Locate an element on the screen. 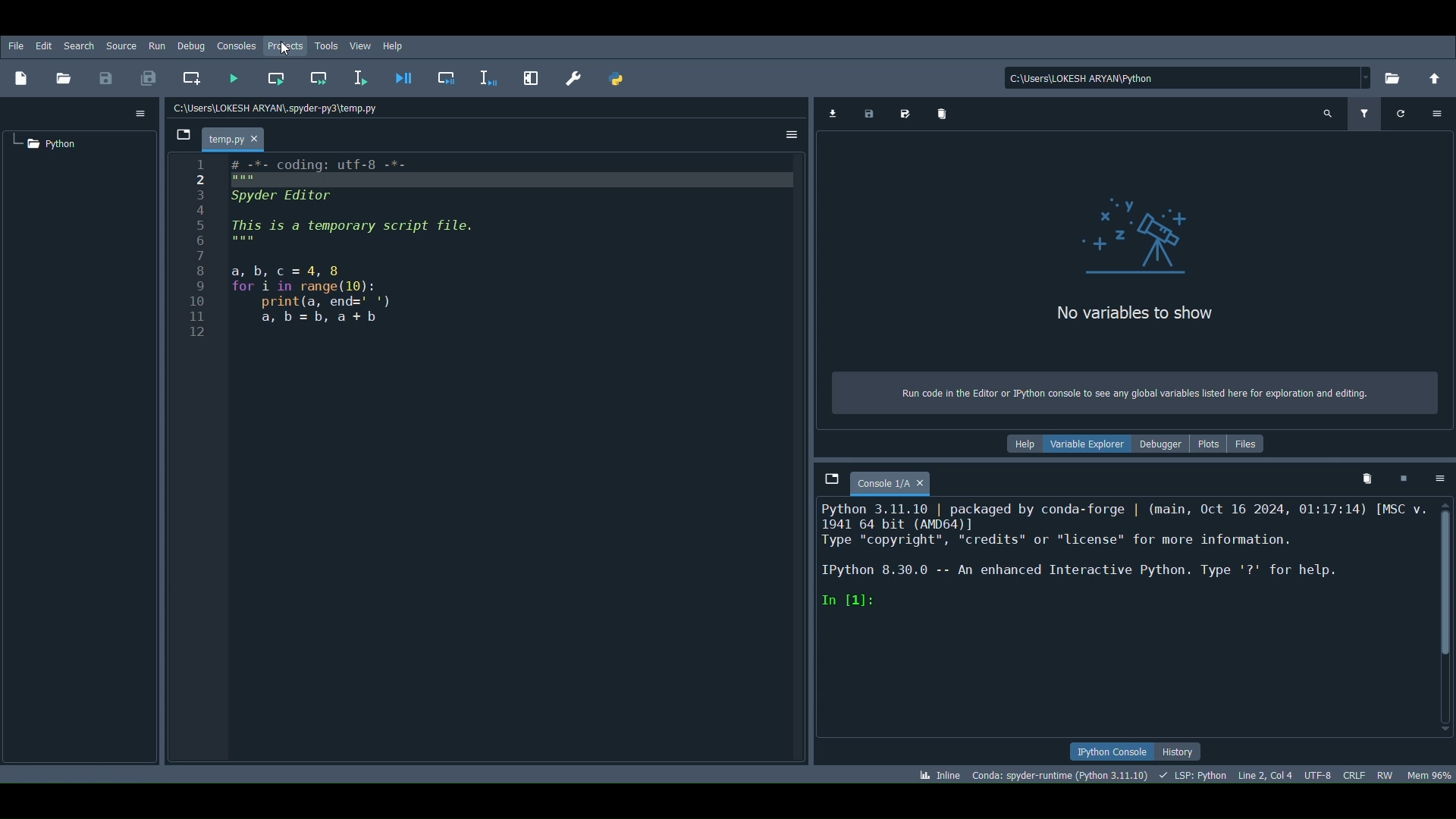  Options is located at coordinates (1435, 481).